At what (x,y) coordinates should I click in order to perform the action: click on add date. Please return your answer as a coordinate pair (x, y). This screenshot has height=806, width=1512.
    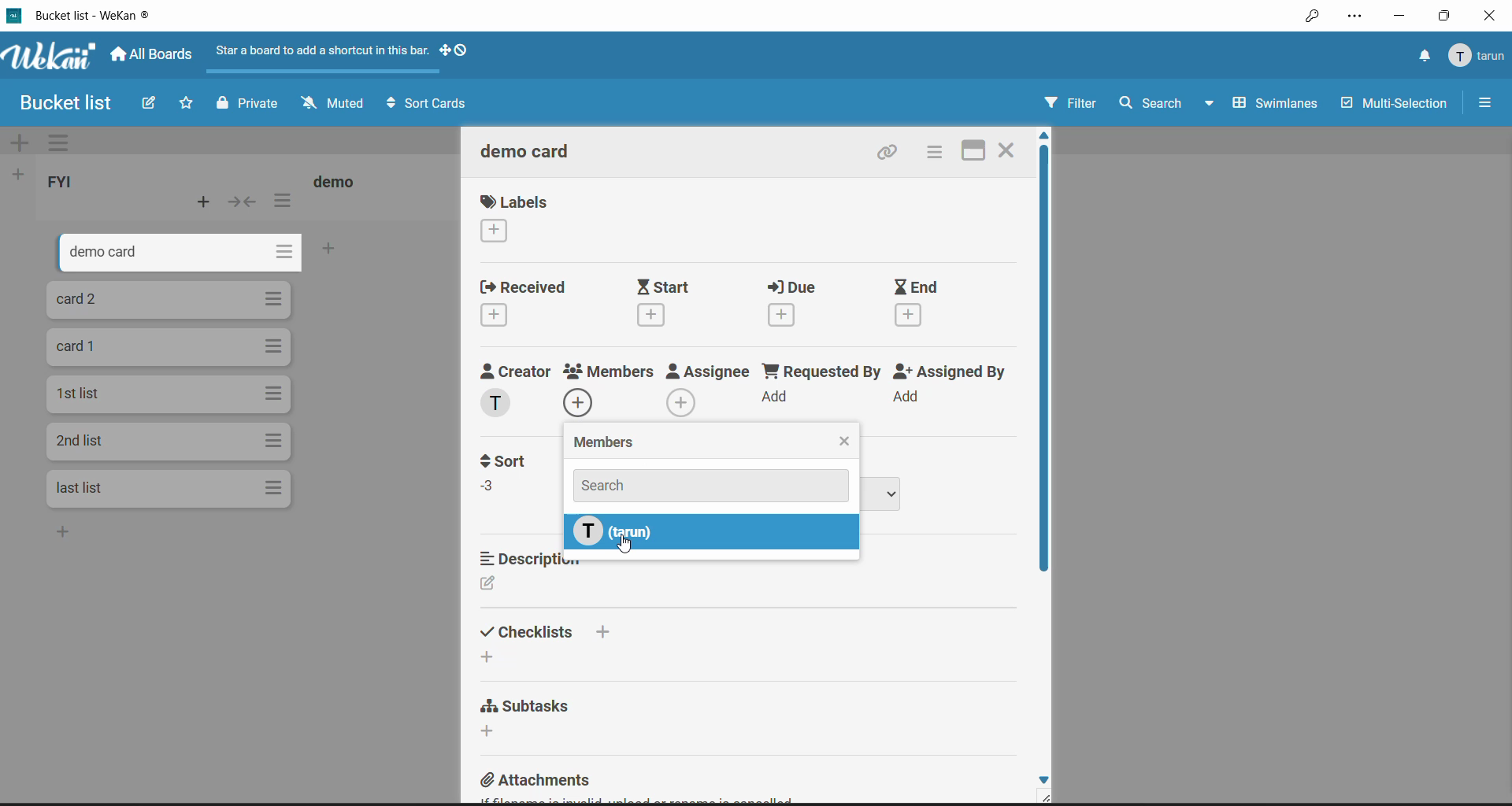
    Looking at the image, I should click on (491, 317).